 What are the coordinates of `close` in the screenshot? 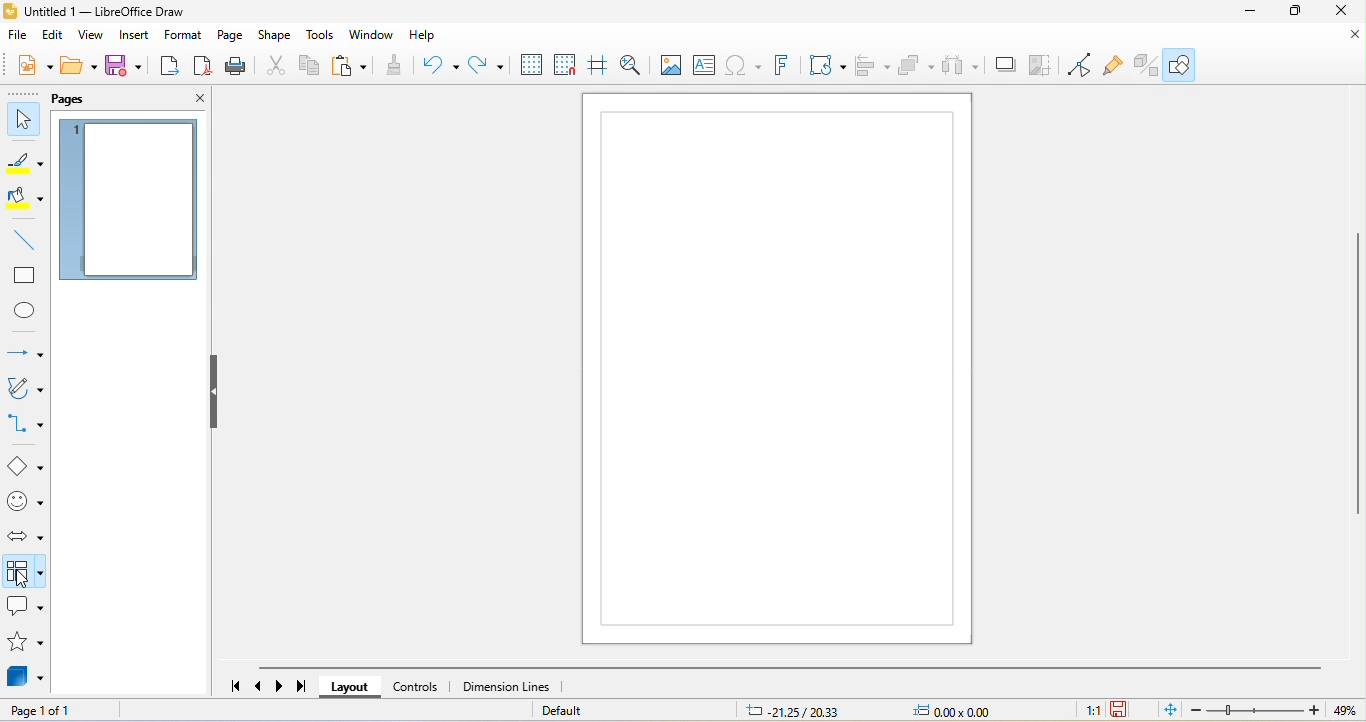 It's located at (187, 100).